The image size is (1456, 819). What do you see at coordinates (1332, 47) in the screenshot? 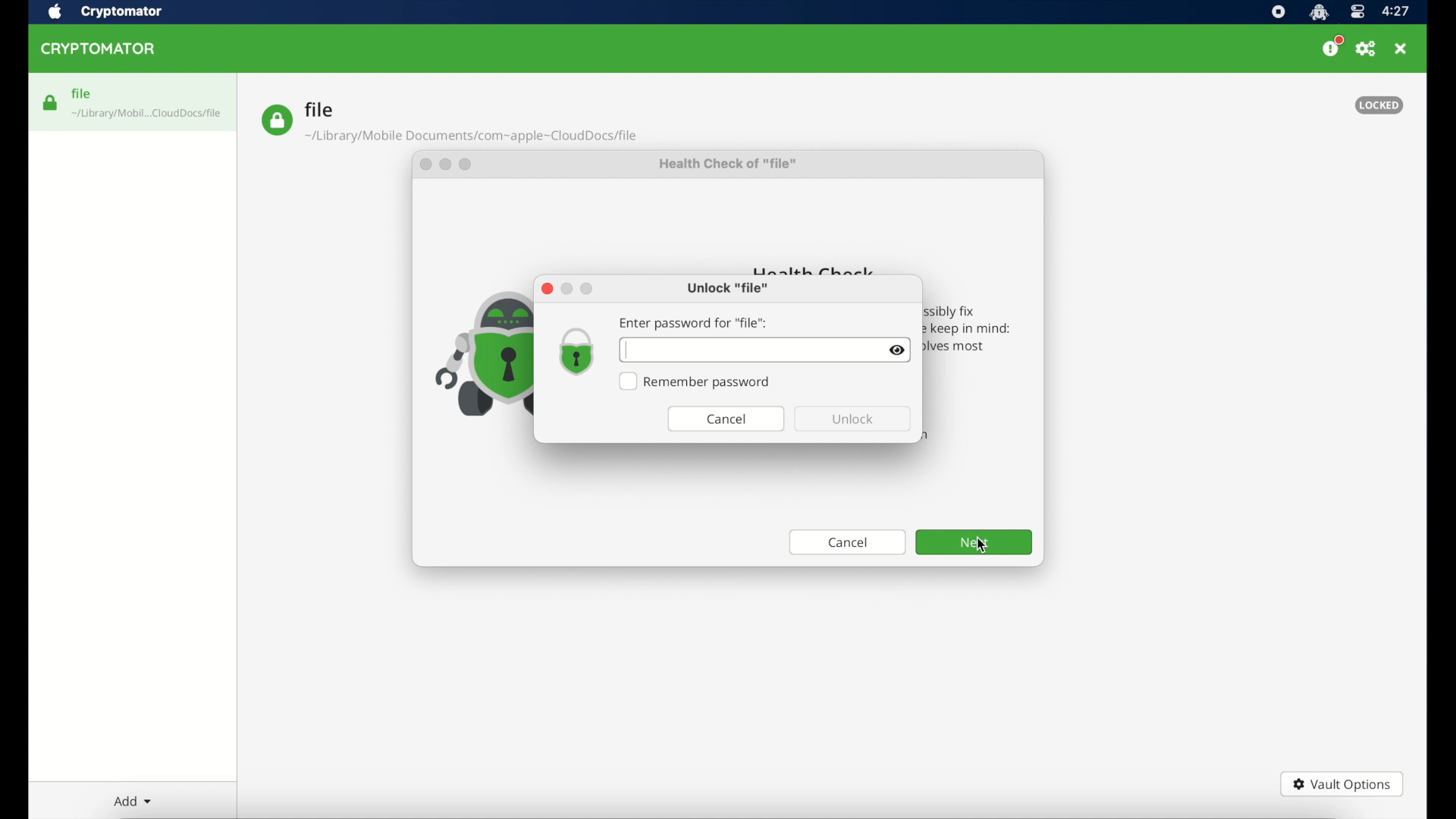
I see `donate` at bounding box center [1332, 47].